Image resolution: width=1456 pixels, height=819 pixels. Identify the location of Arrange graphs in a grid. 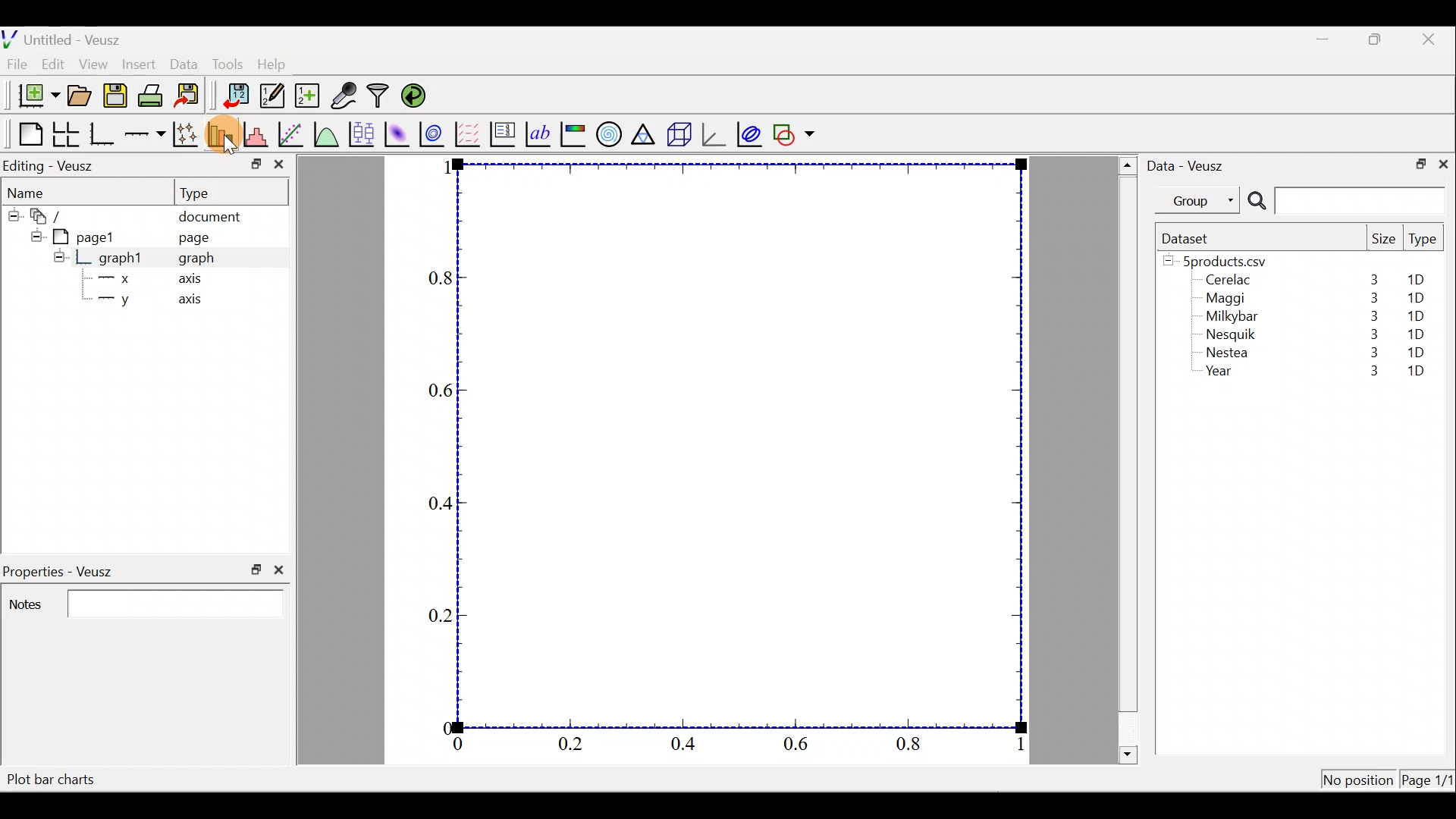
(65, 134).